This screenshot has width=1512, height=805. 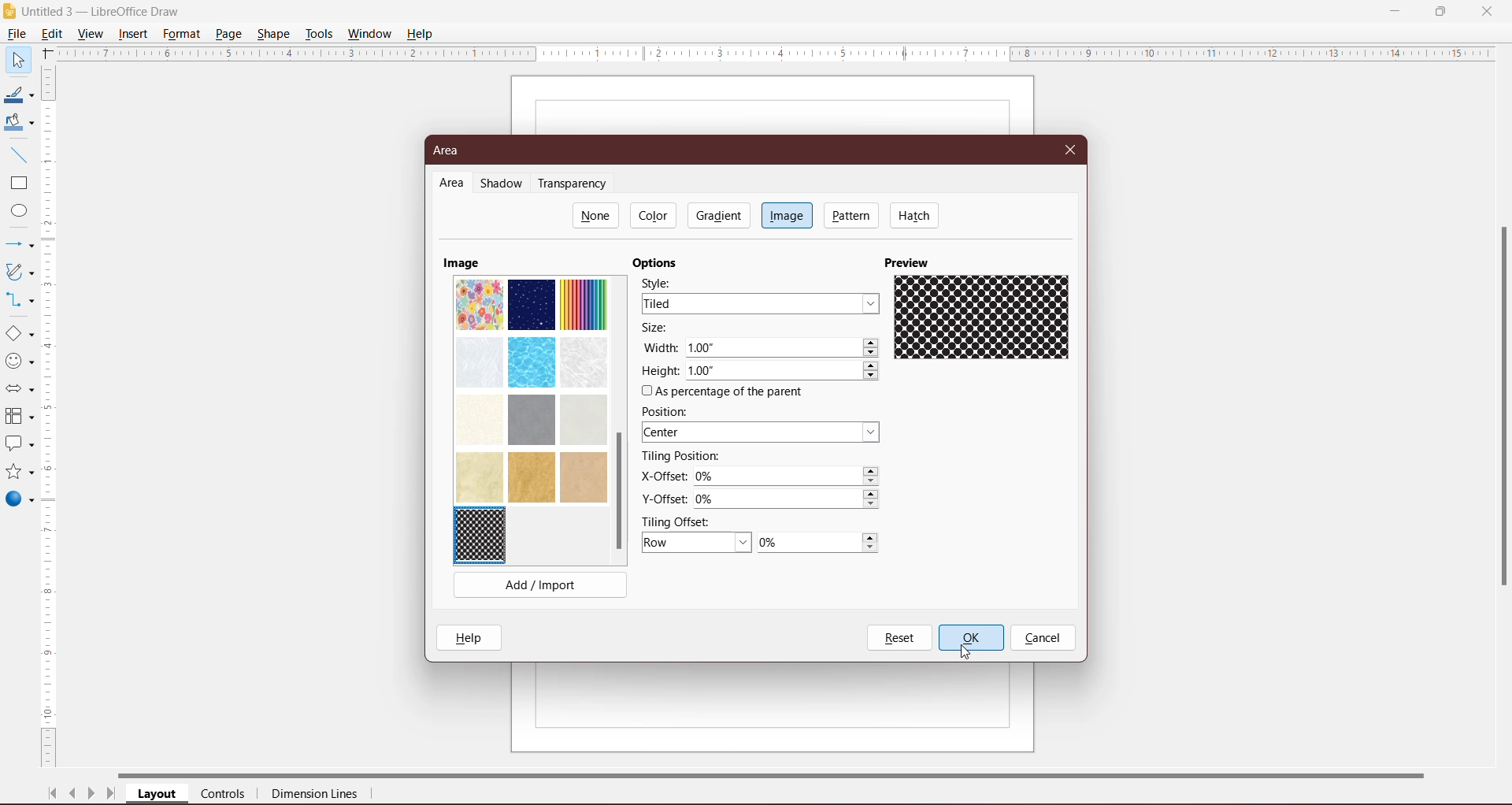 I want to click on Flowchart, so click(x=19, y=417).